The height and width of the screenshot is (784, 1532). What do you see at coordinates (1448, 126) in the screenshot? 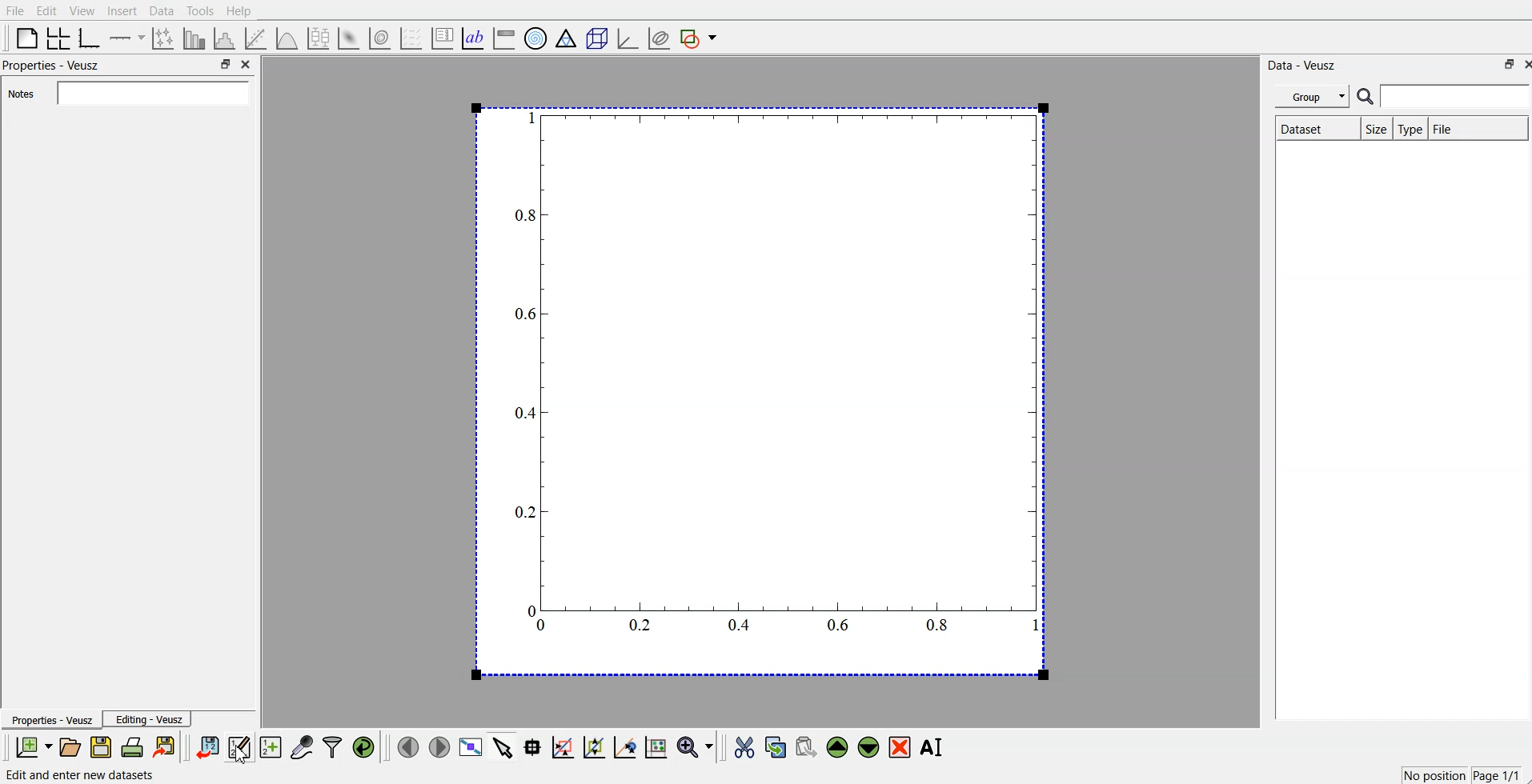
I see `File` at bounding box center [1448, 126].